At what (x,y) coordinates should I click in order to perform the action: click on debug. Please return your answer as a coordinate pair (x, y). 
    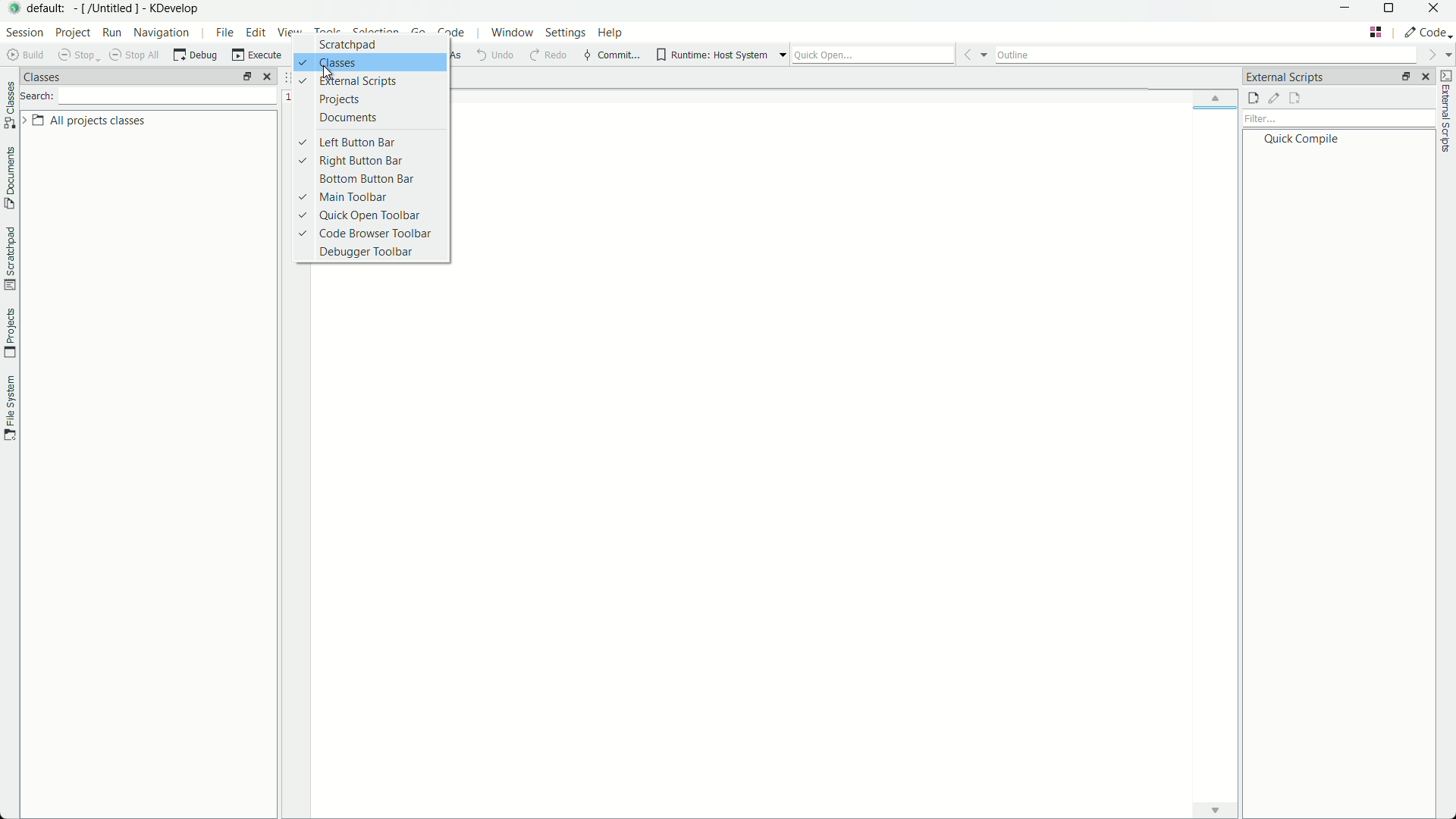
    Looking at the image, I should click on (199, 54).